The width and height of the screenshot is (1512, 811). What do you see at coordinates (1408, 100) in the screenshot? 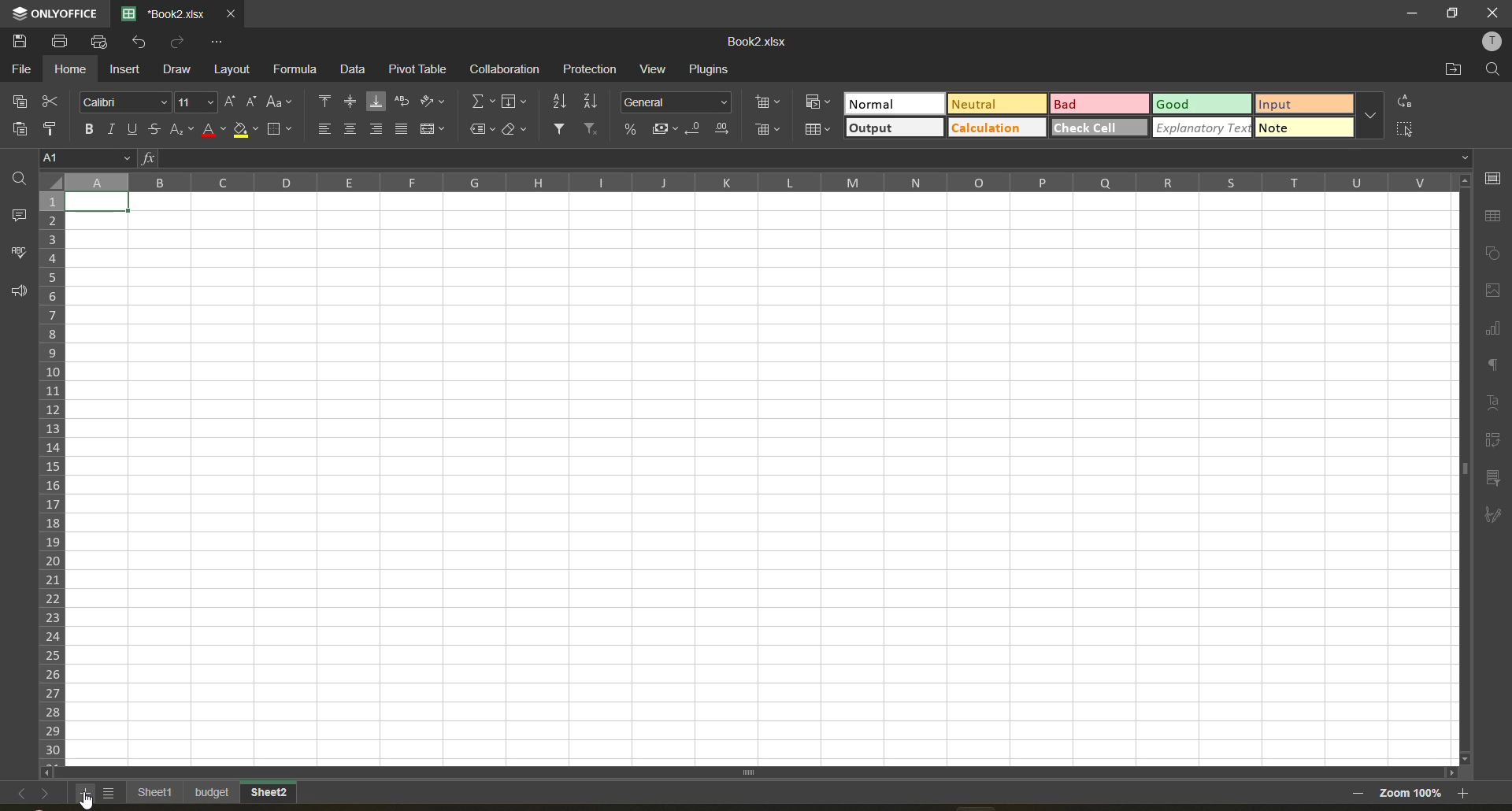
I see `replace` at bounding box center [1408, 100].